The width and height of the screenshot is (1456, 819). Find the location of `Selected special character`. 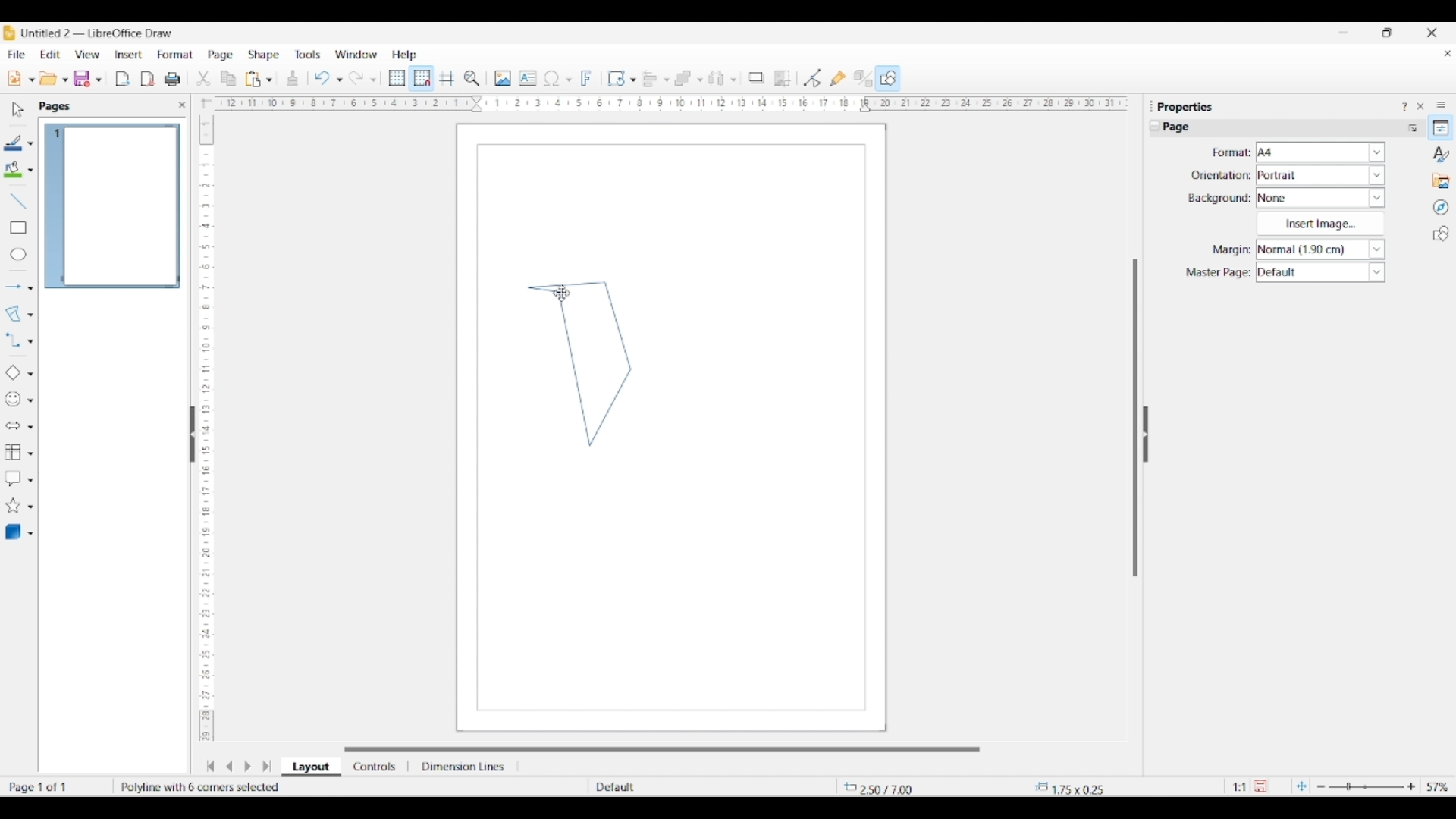

Selected special character is located at coordinates (552, 78).